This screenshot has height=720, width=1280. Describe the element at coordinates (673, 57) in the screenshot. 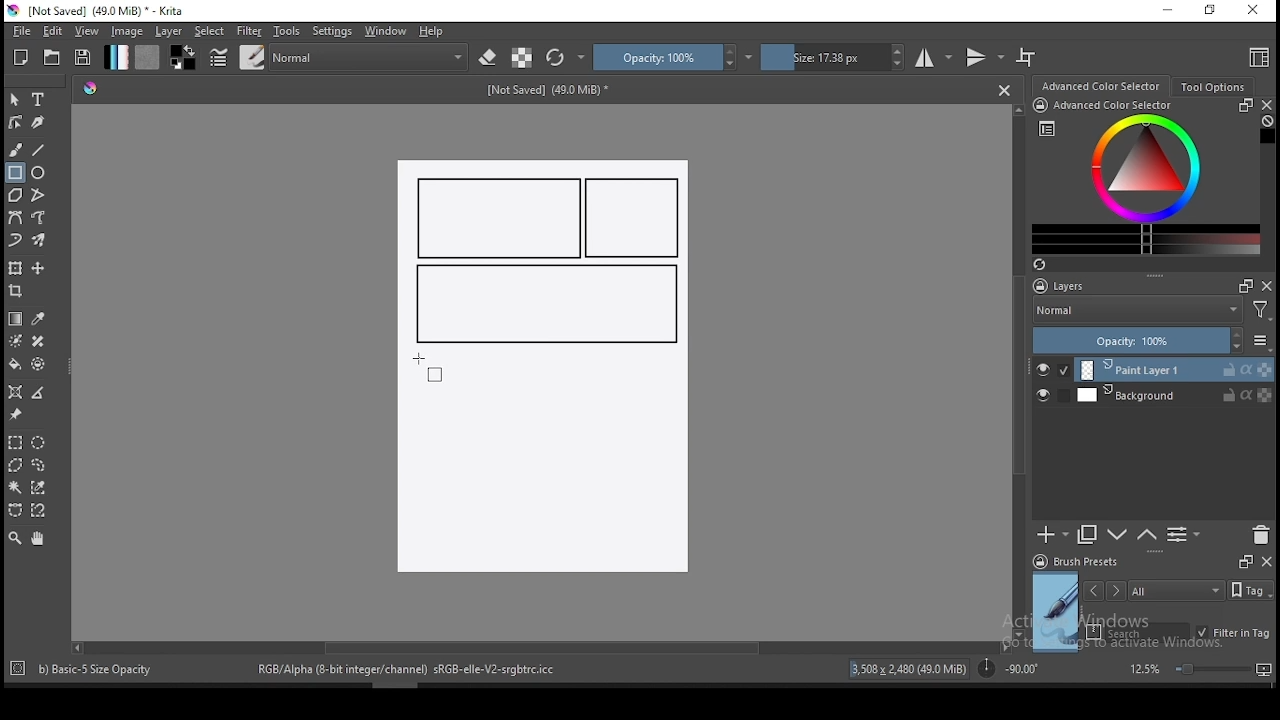

I see `opacity` at that location.